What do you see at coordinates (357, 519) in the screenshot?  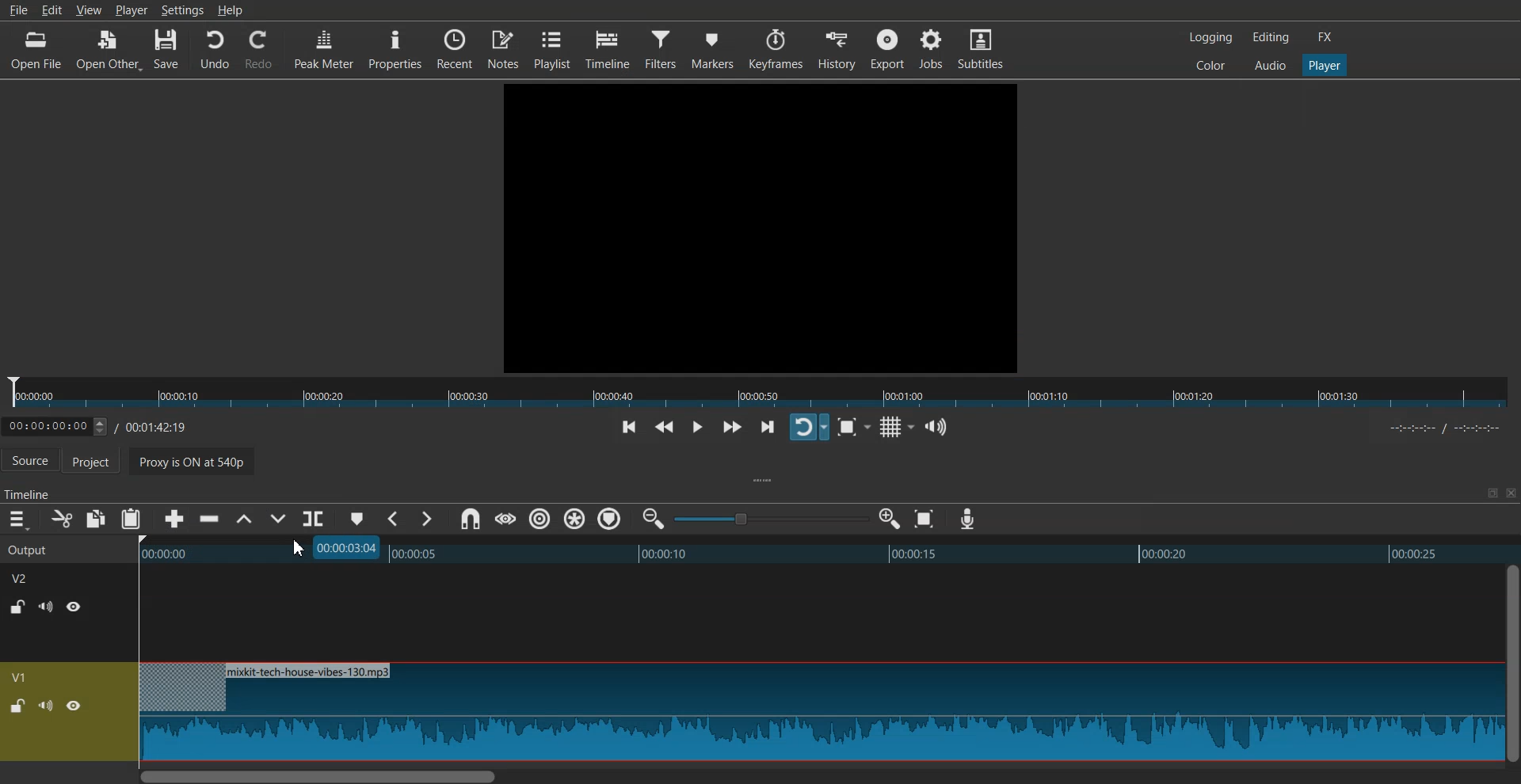 I see `Add marker` at bounding box center [357, 519].